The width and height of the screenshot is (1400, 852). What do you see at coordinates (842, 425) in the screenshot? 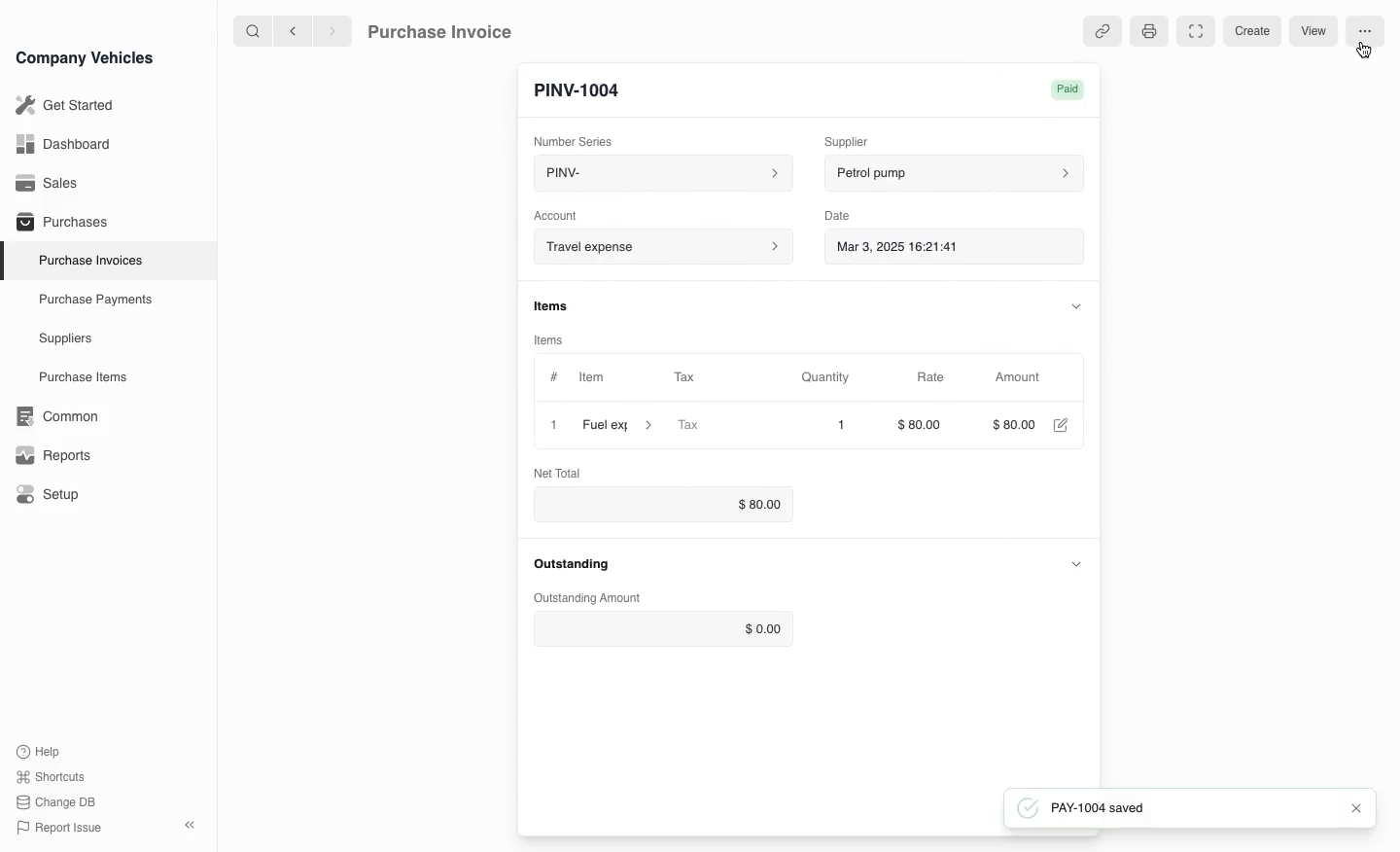
I see `1` at bounding box center [842, 425].